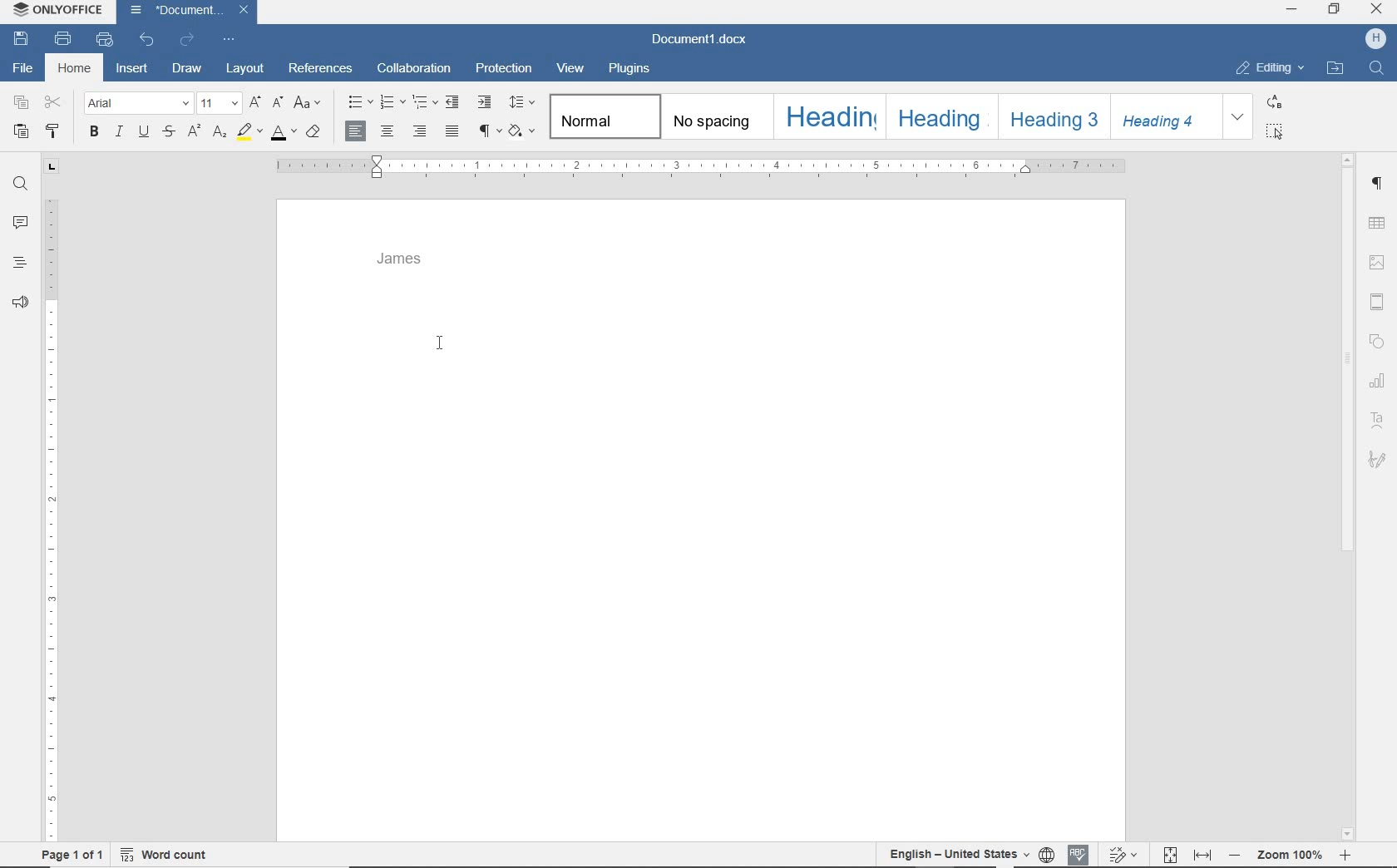 The image size is (1397, 868). Describe the element at coordinates (277, 103) in the screenshot. I see `decrement font size` at that location.